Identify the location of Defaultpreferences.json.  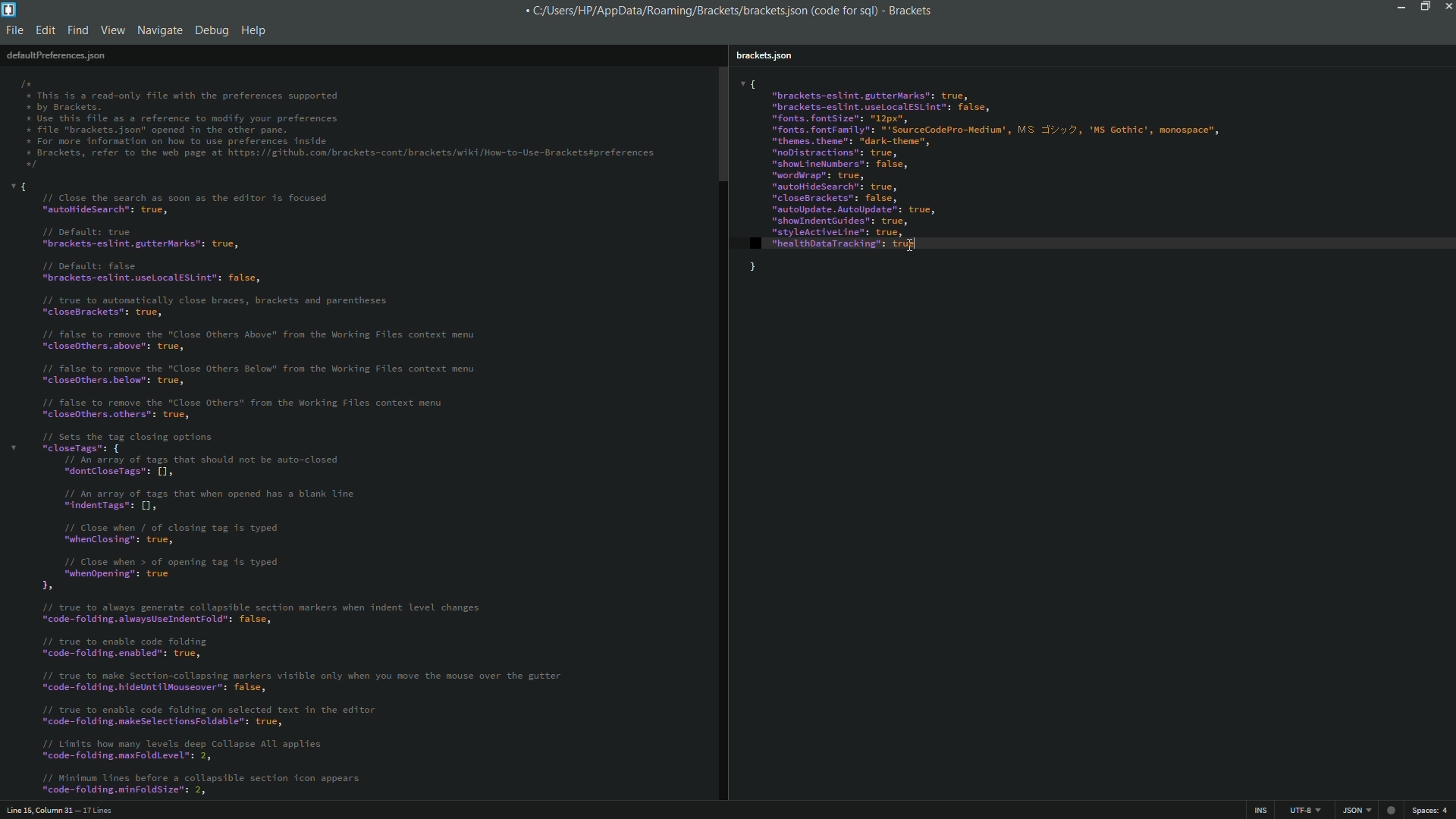
(56, 55).